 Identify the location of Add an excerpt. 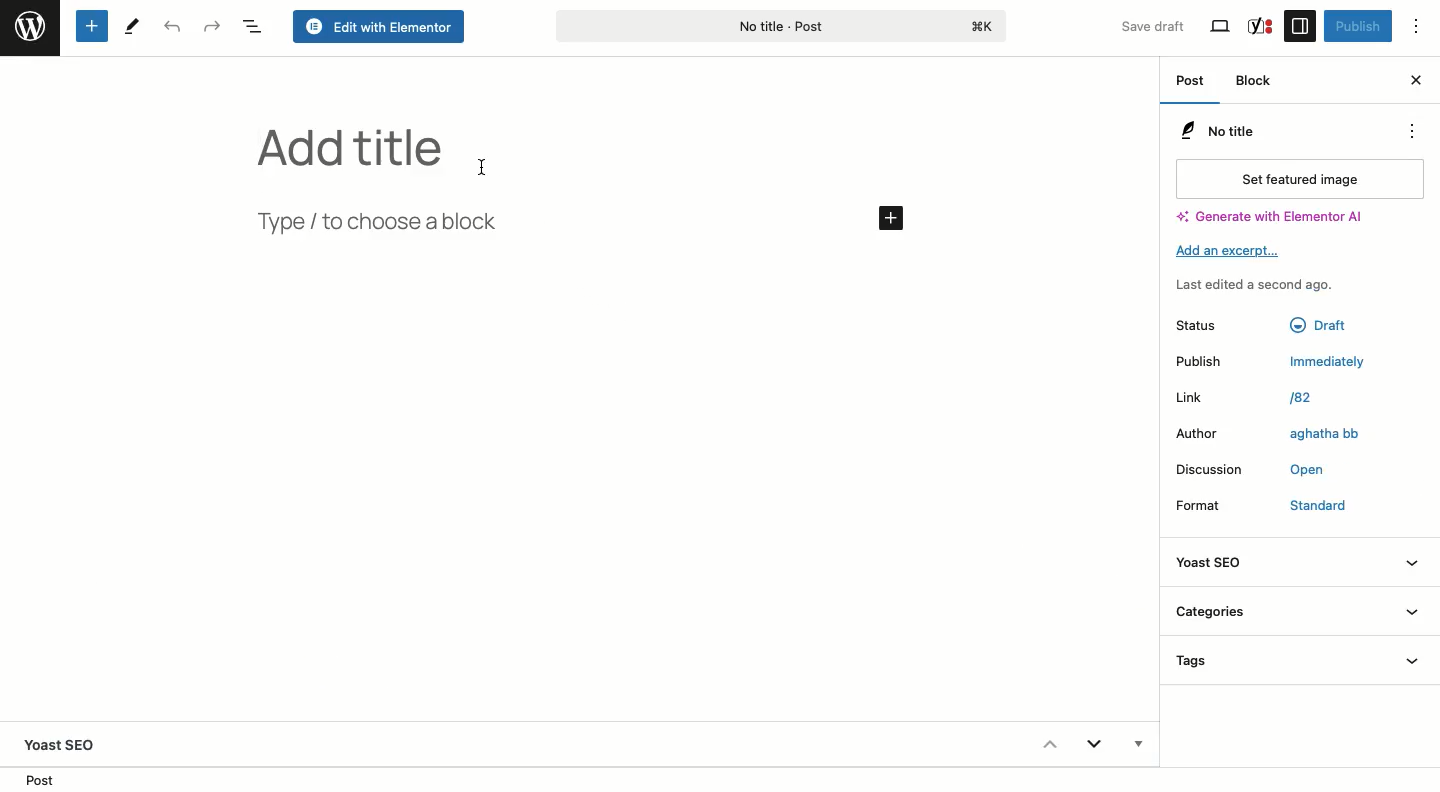
(1235, 251).